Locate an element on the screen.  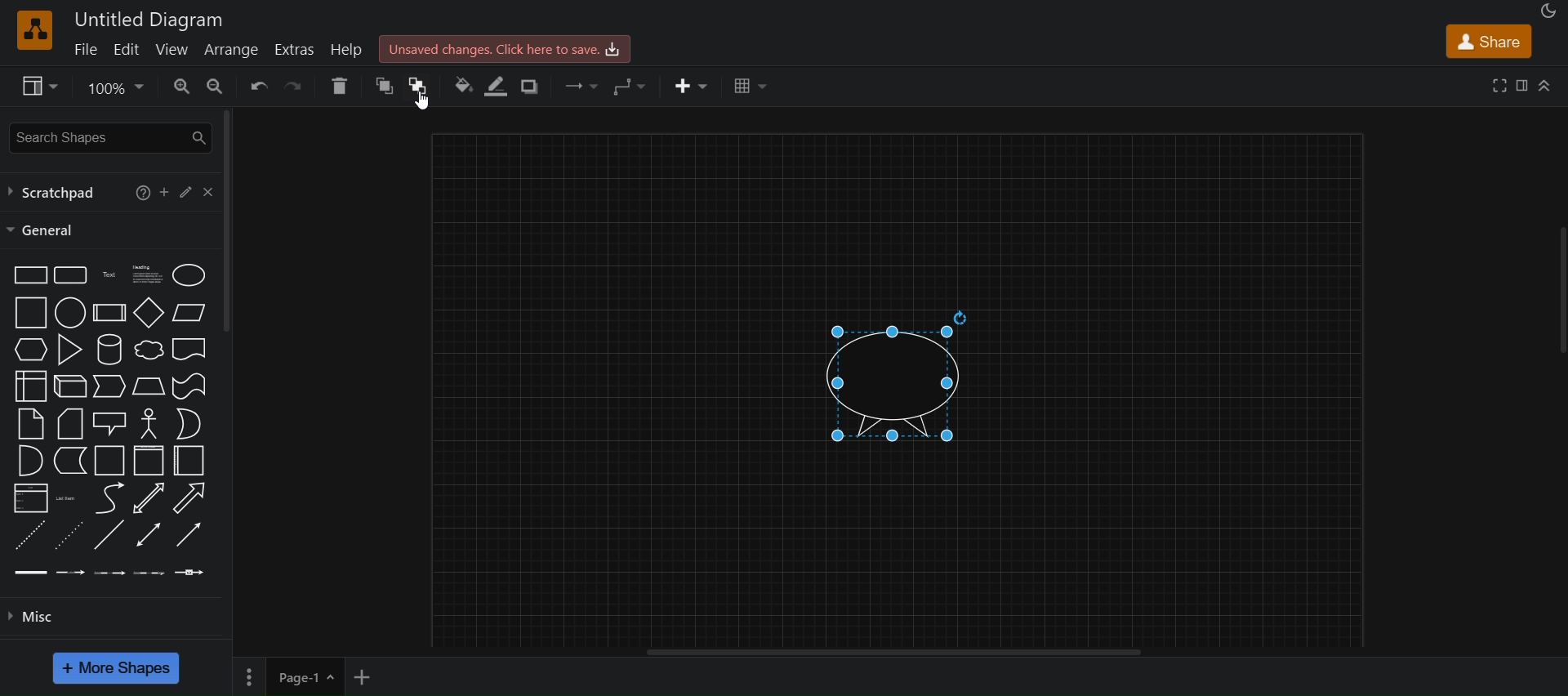
document is located at coordinates (191, 349).